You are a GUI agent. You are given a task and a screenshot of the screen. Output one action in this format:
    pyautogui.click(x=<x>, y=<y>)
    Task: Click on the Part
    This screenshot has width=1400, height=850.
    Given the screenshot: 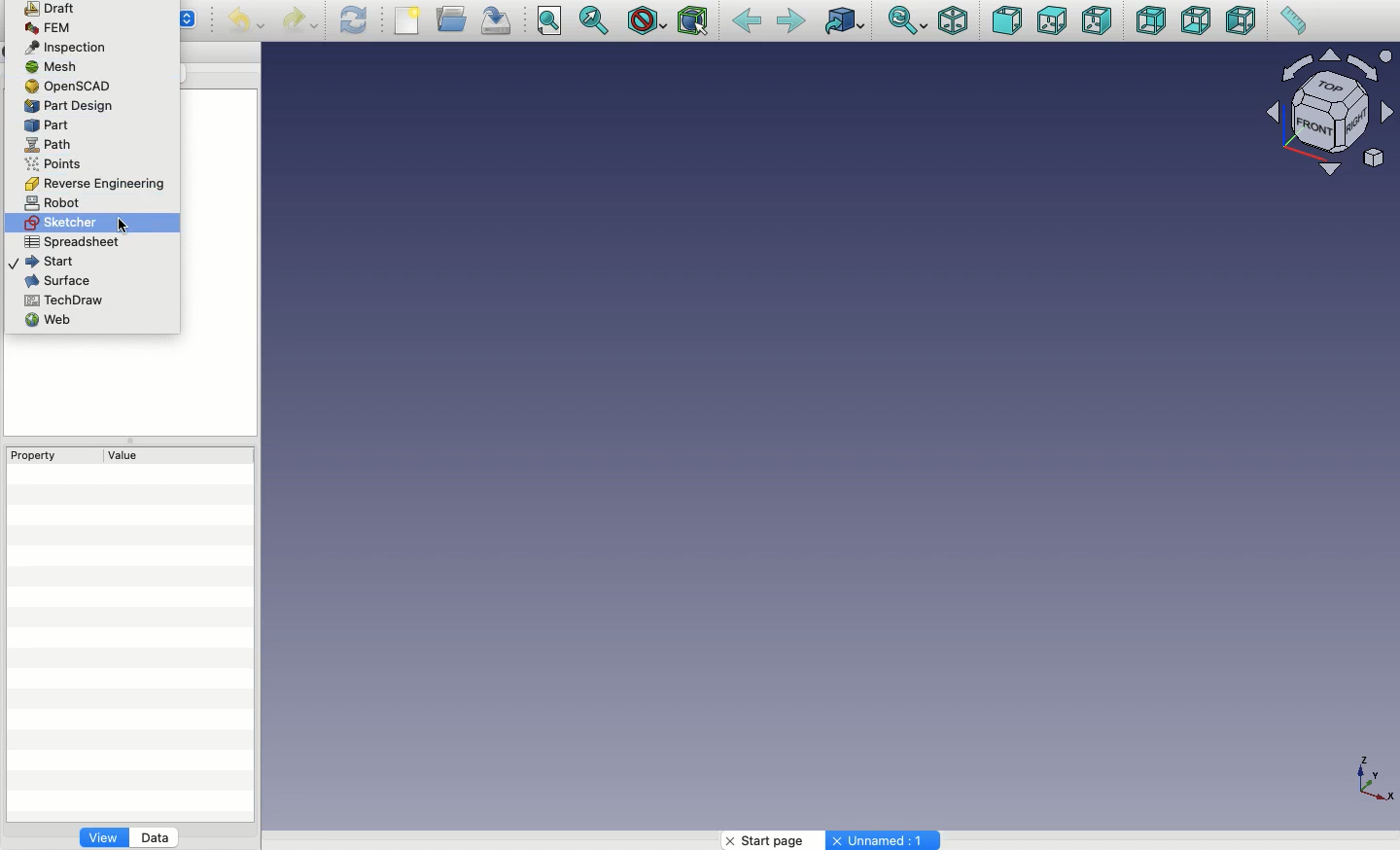 What is the action you would take?
    pyautogui.click(x=48, y=124)
    